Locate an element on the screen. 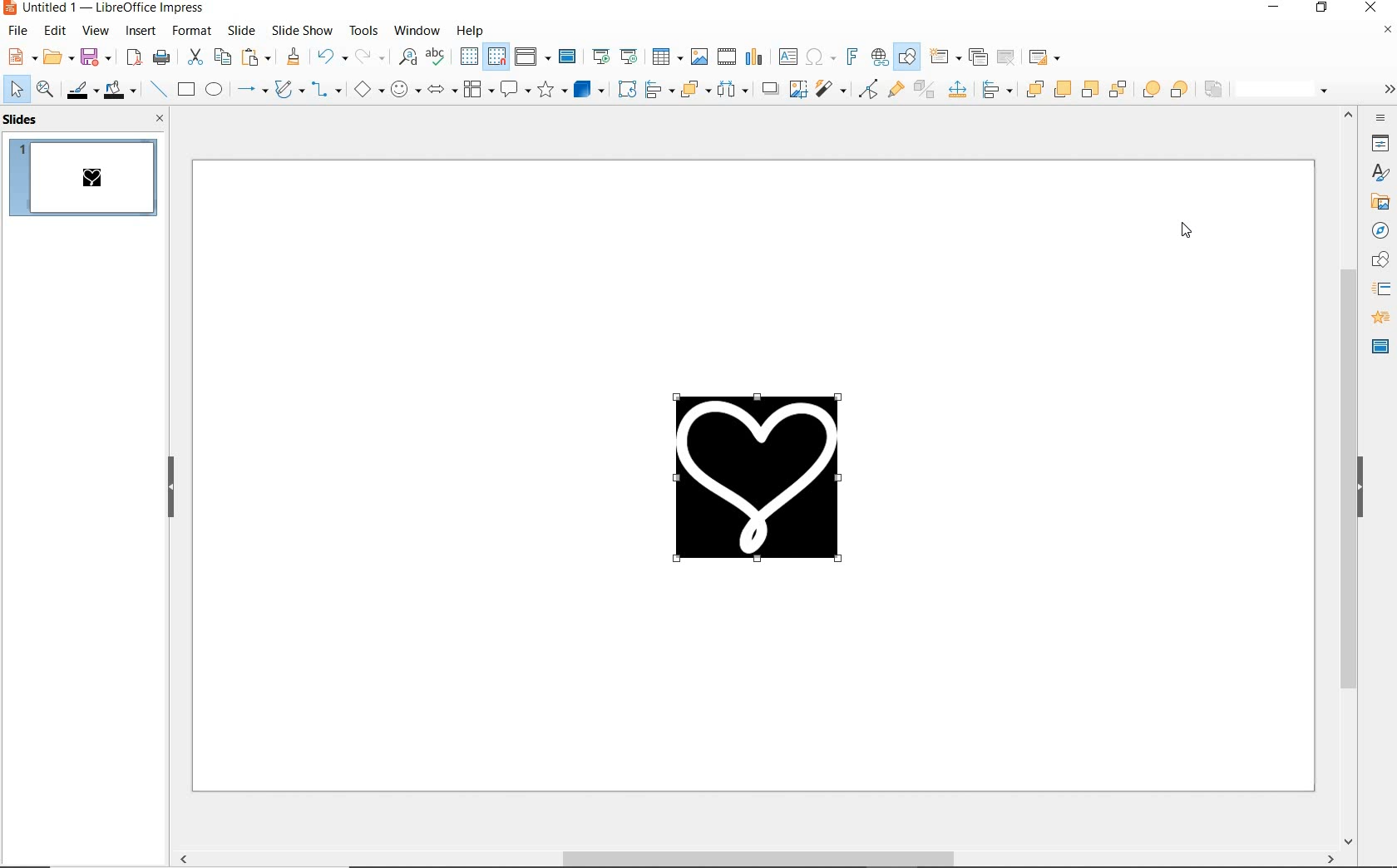  filter is located at coordinates (829, 89).